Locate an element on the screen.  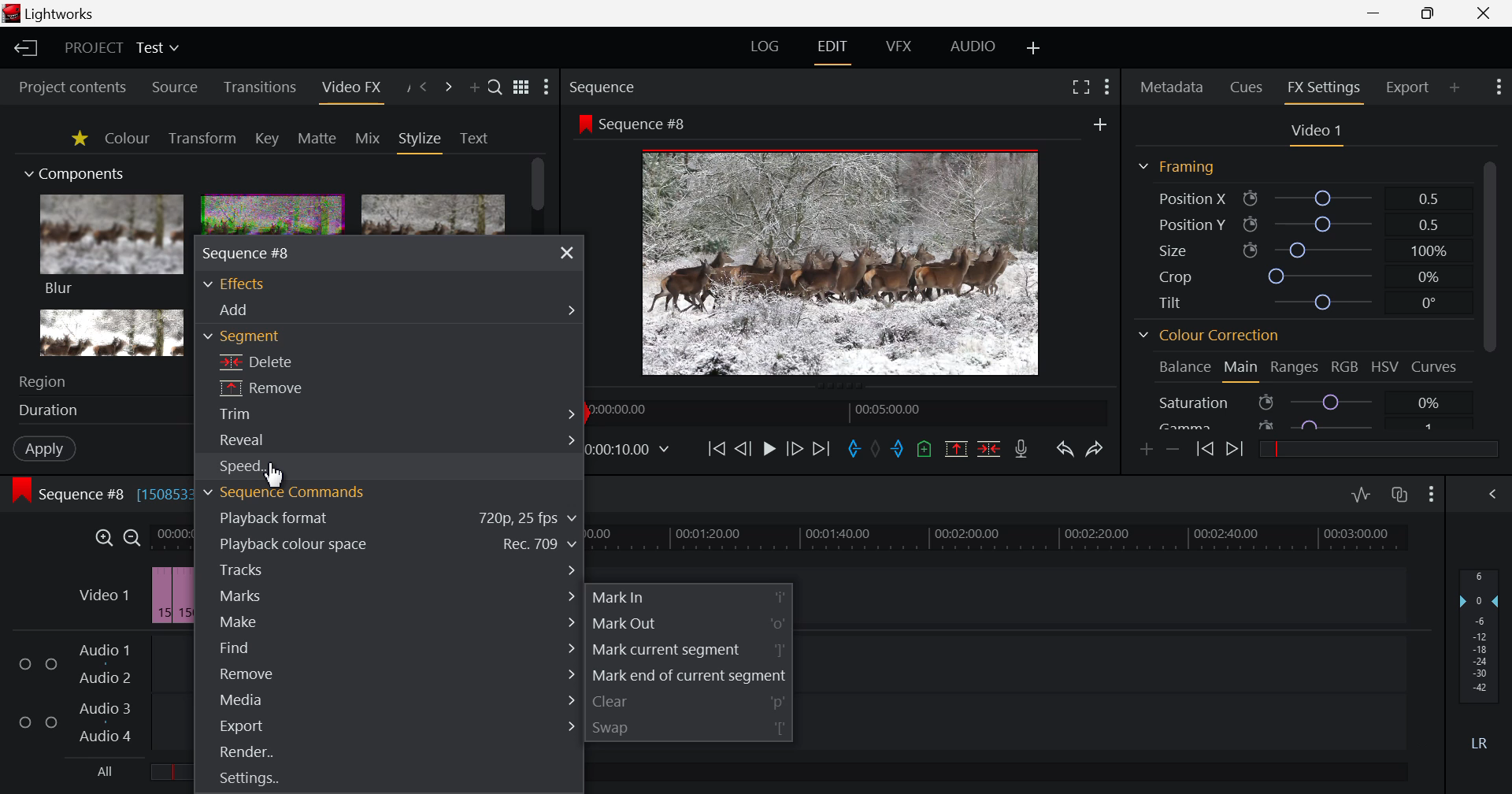
Mark current segment is located at coordinates (689, 649).